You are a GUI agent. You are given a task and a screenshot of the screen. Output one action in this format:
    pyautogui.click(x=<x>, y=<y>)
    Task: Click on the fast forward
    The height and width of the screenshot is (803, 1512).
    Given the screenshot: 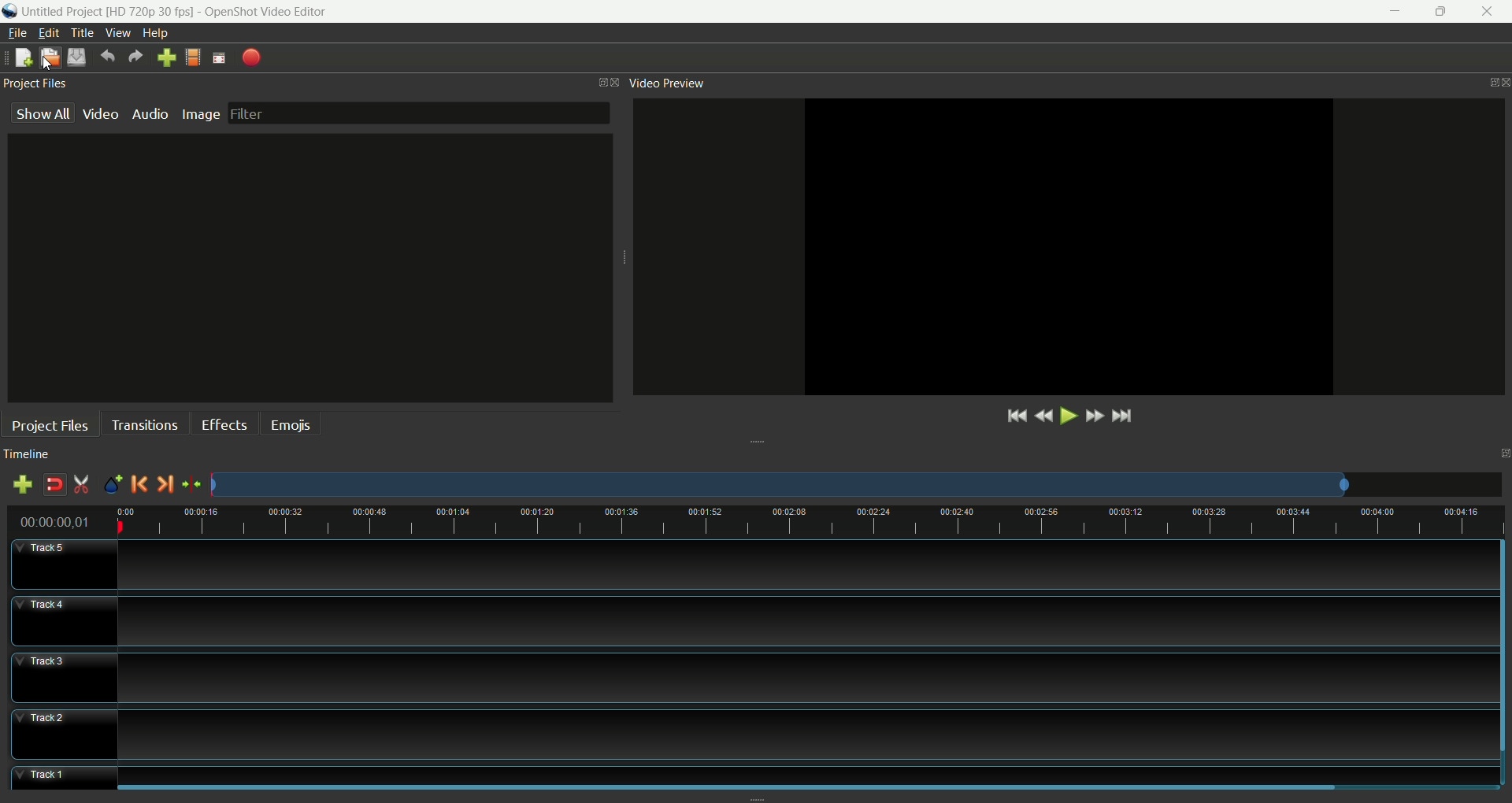 What is the action you would take?
    pyautogui.click(x=1095, y=416)
    